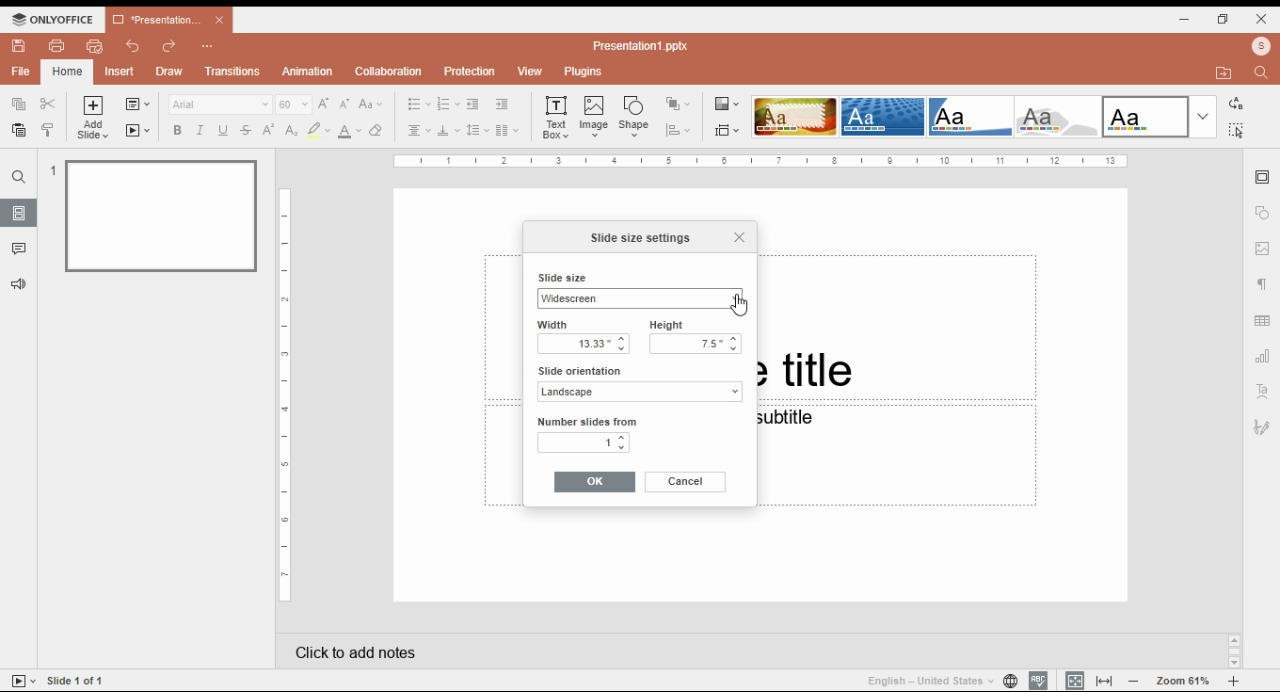  Describe the element at coordinates (1146, 116) in the screenshot. I see `slide them option` at that location.